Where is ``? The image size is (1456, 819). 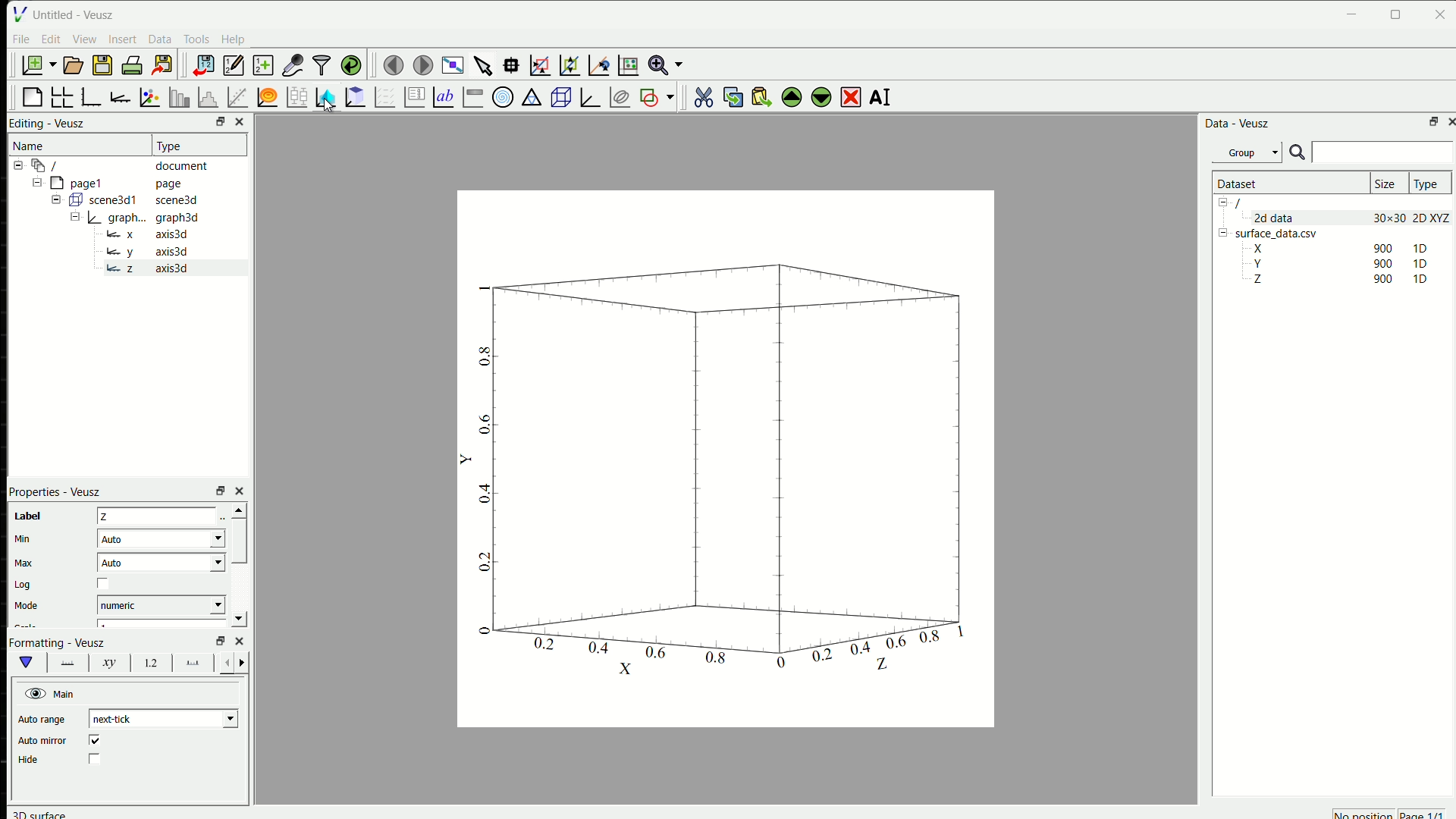  is located at coordinates (116, 217).